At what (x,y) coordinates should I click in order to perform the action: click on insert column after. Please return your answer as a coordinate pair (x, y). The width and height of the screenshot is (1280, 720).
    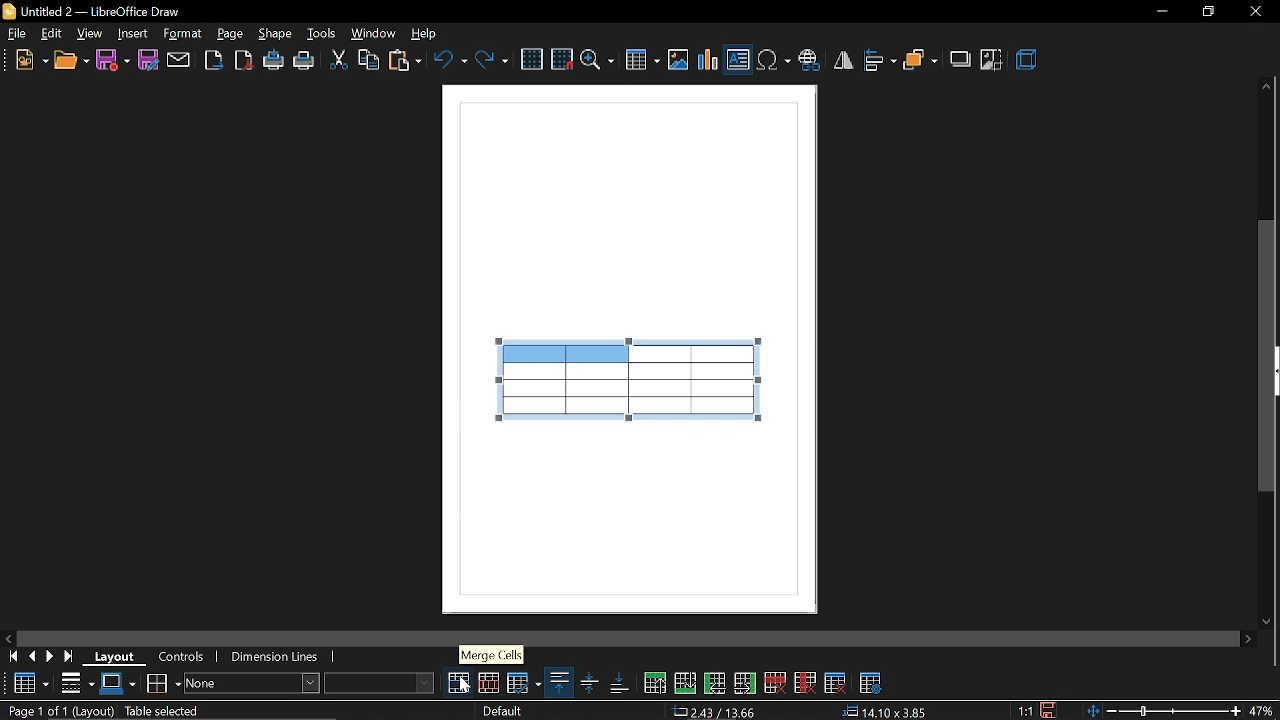
    Looking at the image, I should click on (747, 681).